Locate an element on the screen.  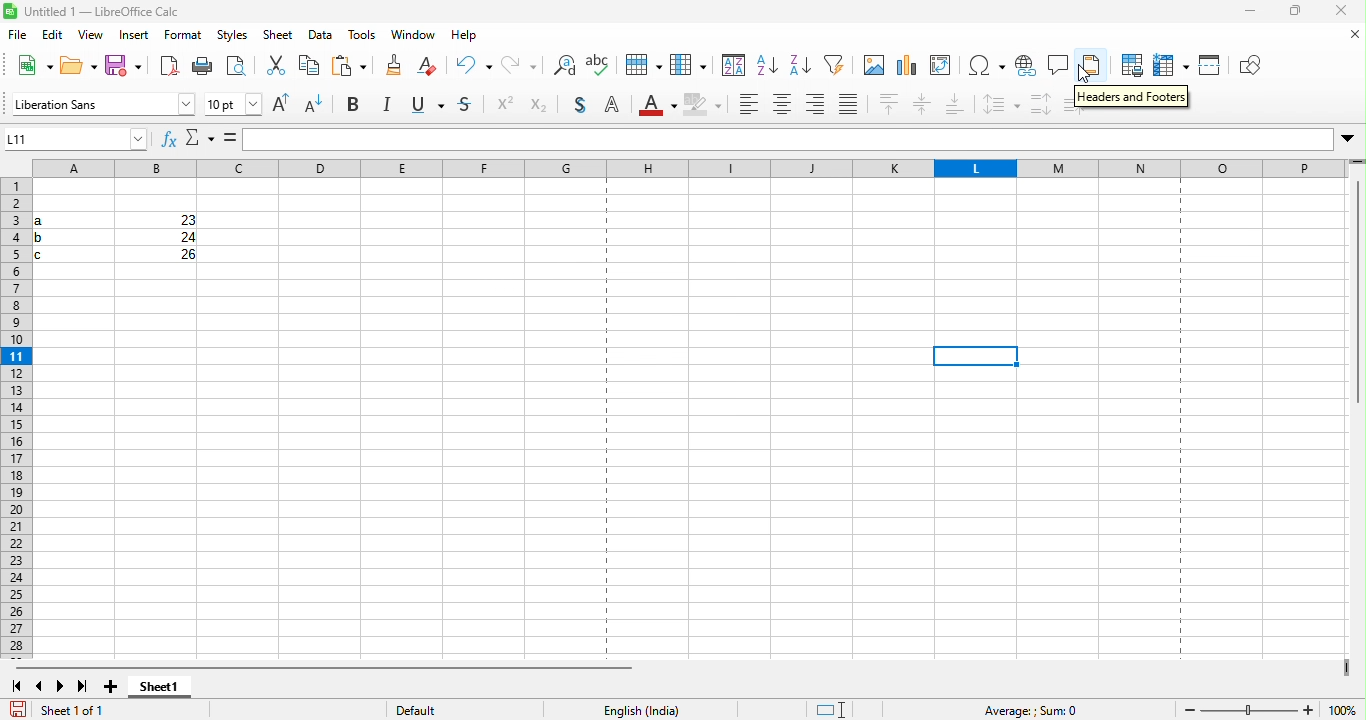
clear direct formatting is located at coordinates (392, 65).